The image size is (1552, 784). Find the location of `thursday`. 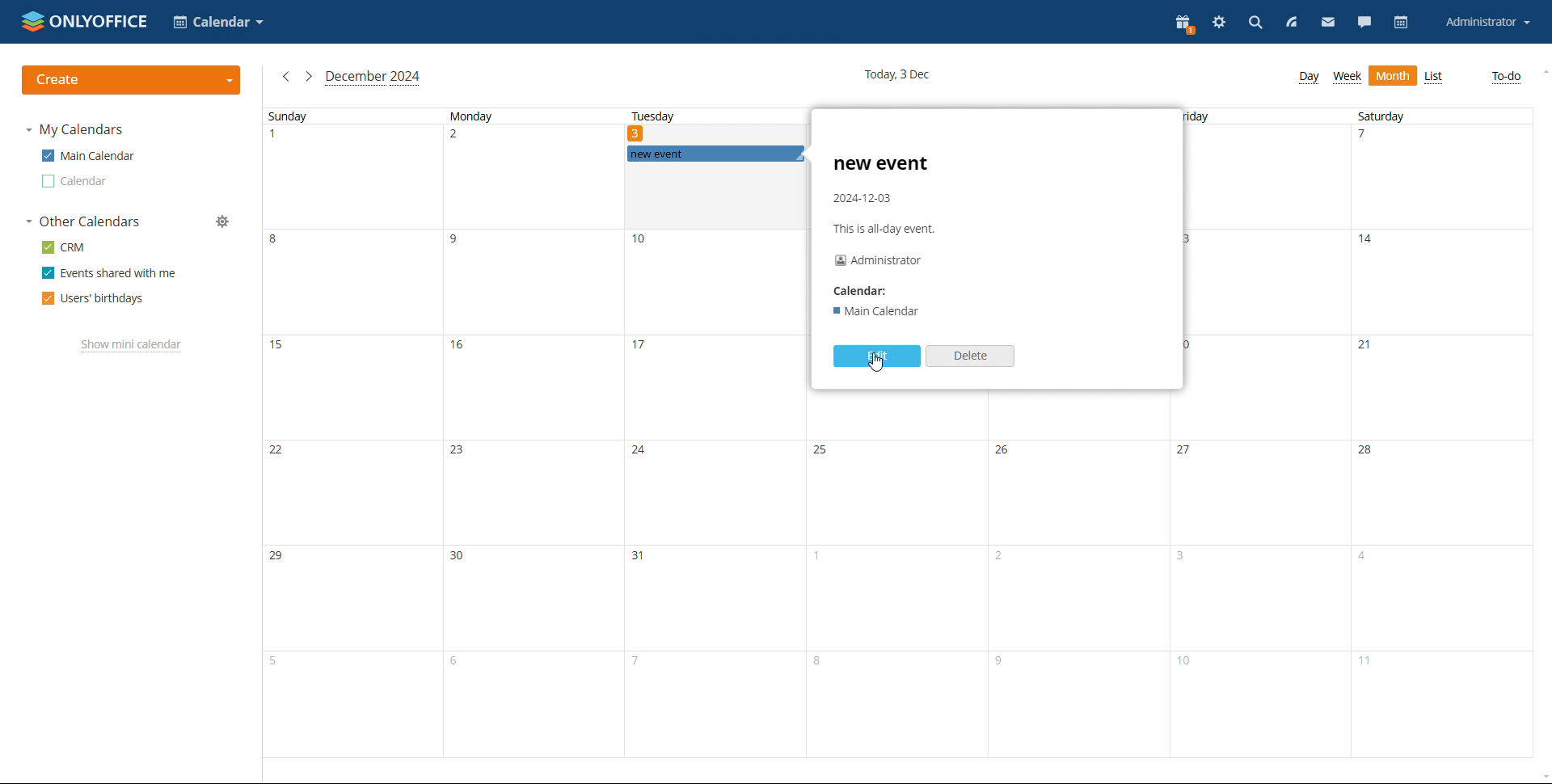

thursday is located at coordinates (1075, 584).